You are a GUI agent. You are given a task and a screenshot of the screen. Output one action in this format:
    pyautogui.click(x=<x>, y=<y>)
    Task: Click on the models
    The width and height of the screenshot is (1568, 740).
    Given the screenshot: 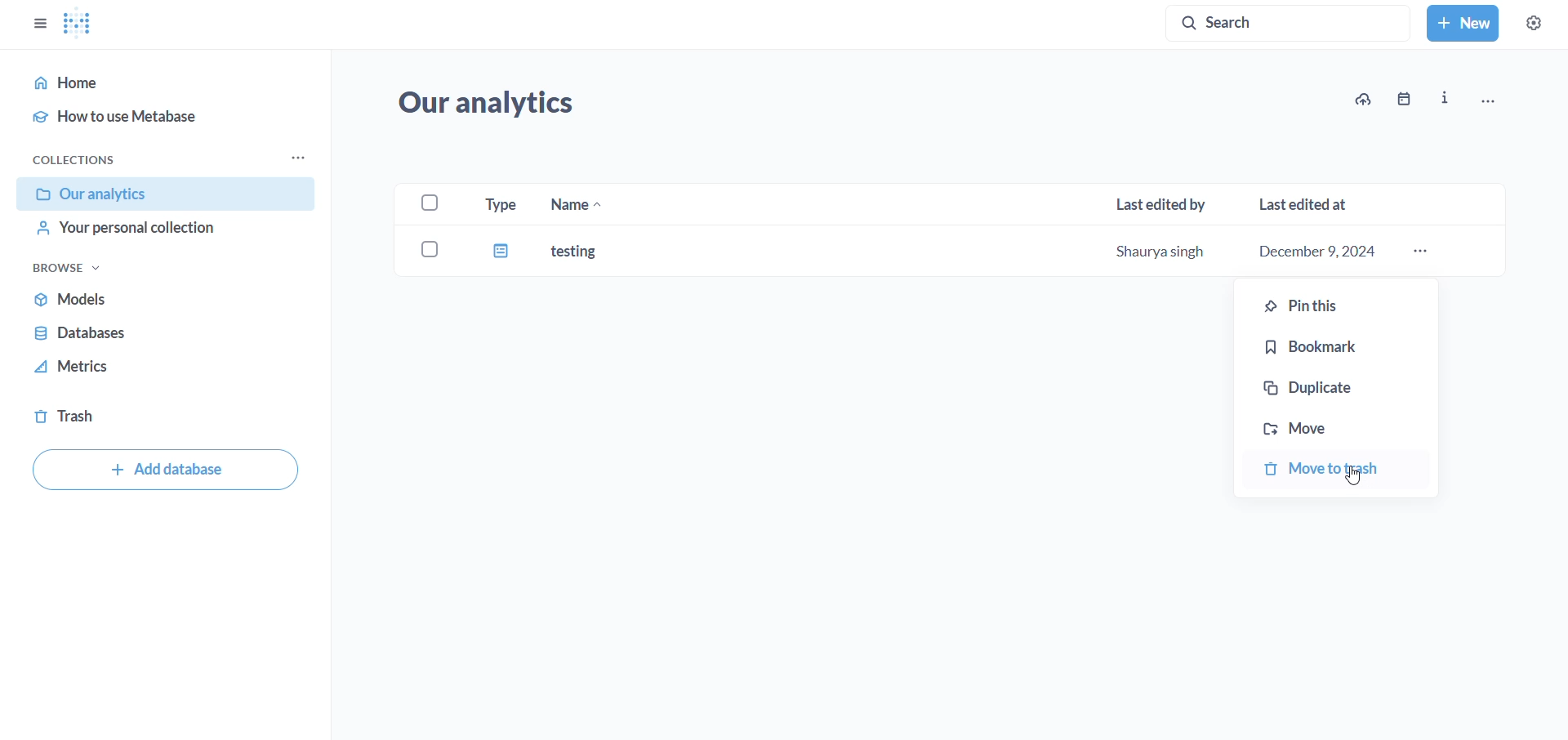 What is the action you would take?
    pyautogui.click(x=161, y=304)
    